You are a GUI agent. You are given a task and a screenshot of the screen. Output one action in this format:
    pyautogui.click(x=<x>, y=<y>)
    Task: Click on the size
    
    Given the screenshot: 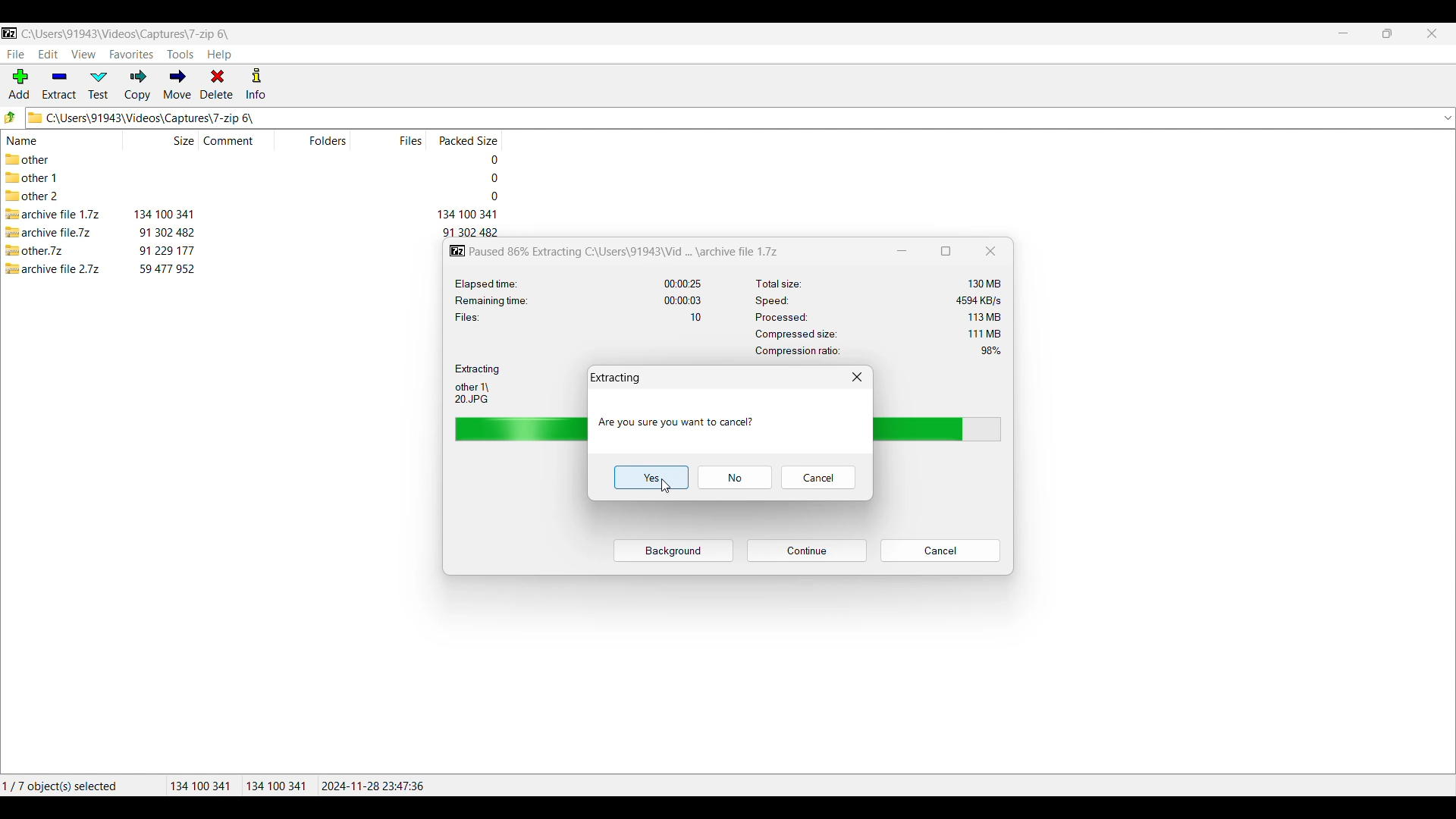 What is the action you would take?
    pyautogui.click(x=166, y=231)
    